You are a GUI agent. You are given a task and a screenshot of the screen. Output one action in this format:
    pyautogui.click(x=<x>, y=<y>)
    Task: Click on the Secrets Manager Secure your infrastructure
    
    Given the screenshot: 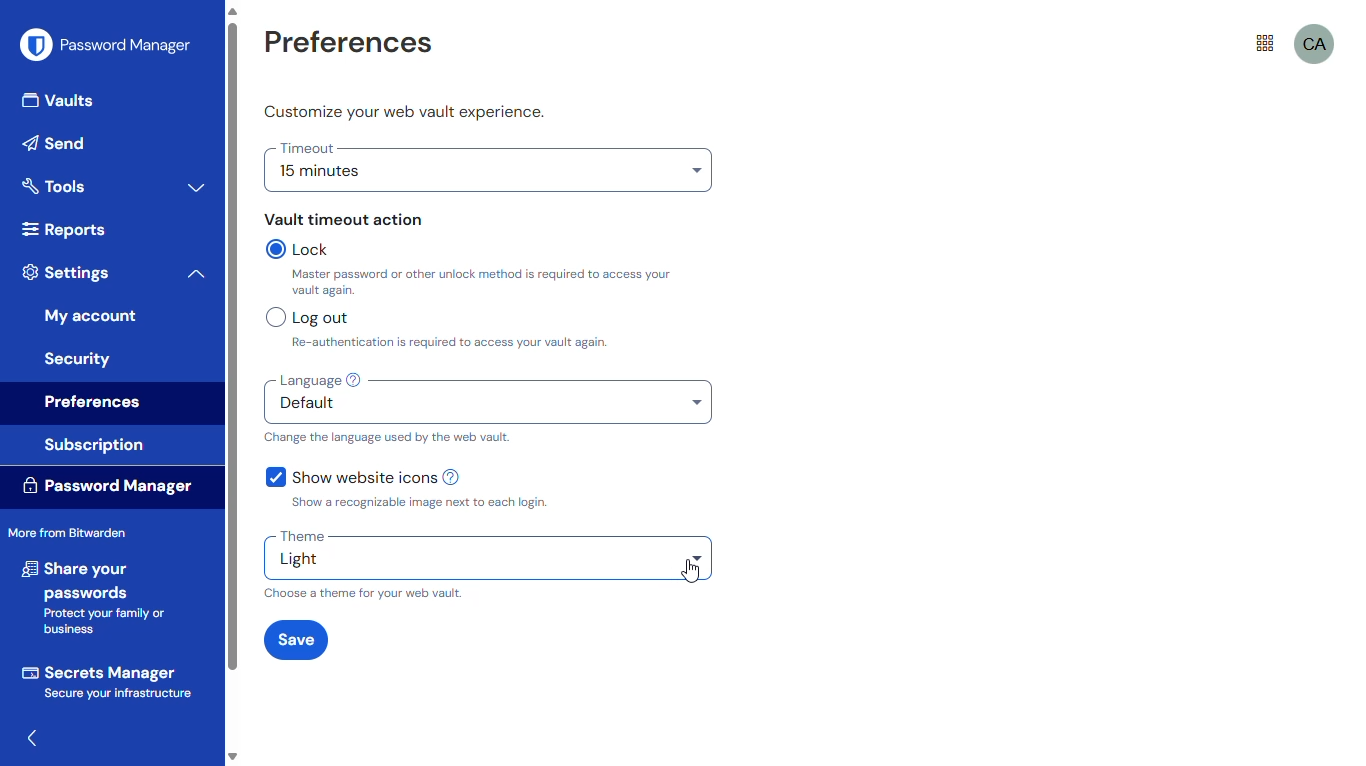 What is the action you would take?
    pyautogui.click(x=108, y=681)
    